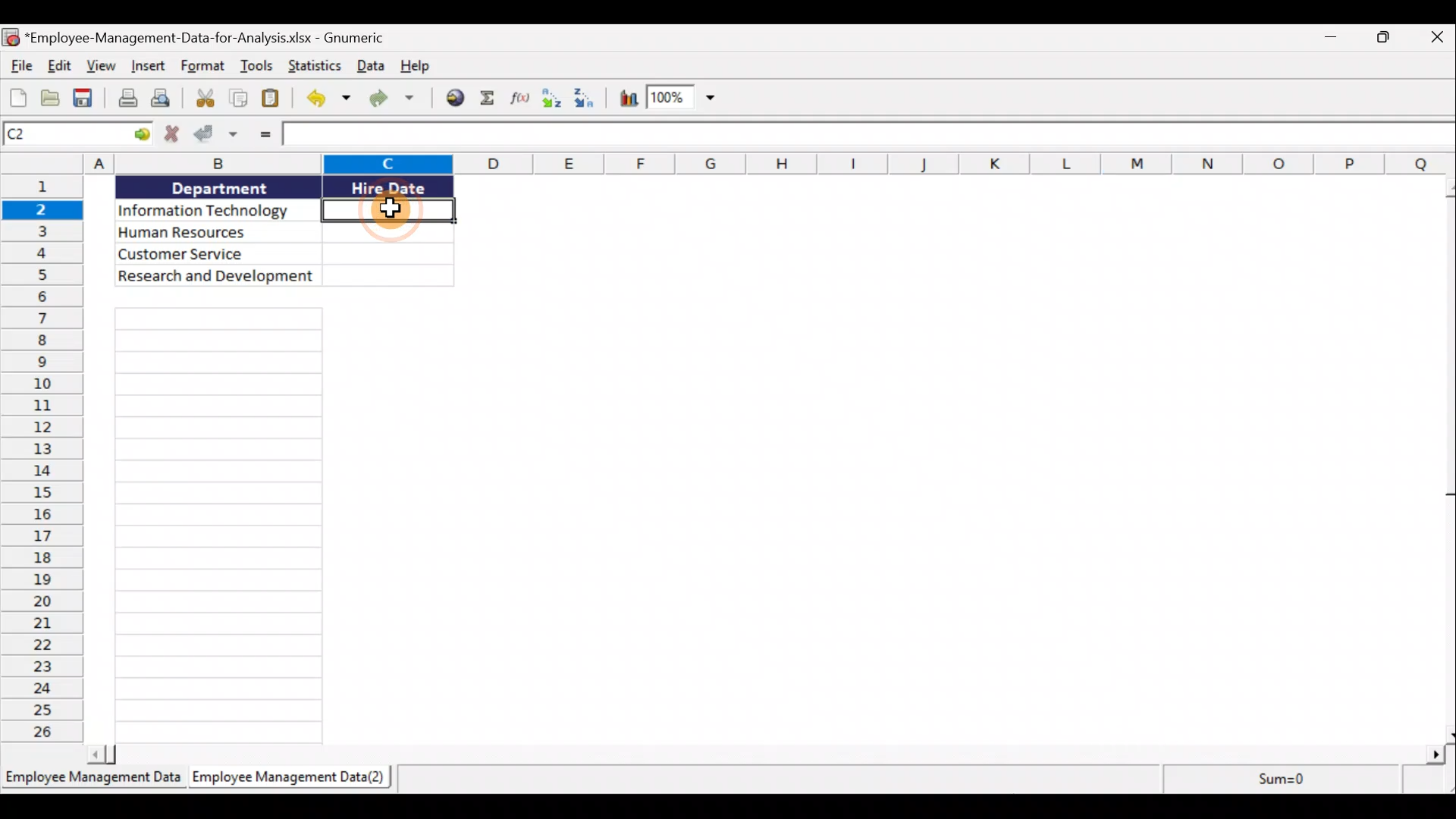 This screenshot has height=819, width=1456. Describe the element at coordinates (204, 100) in the screenshot. I see `Cut selection` at that location.